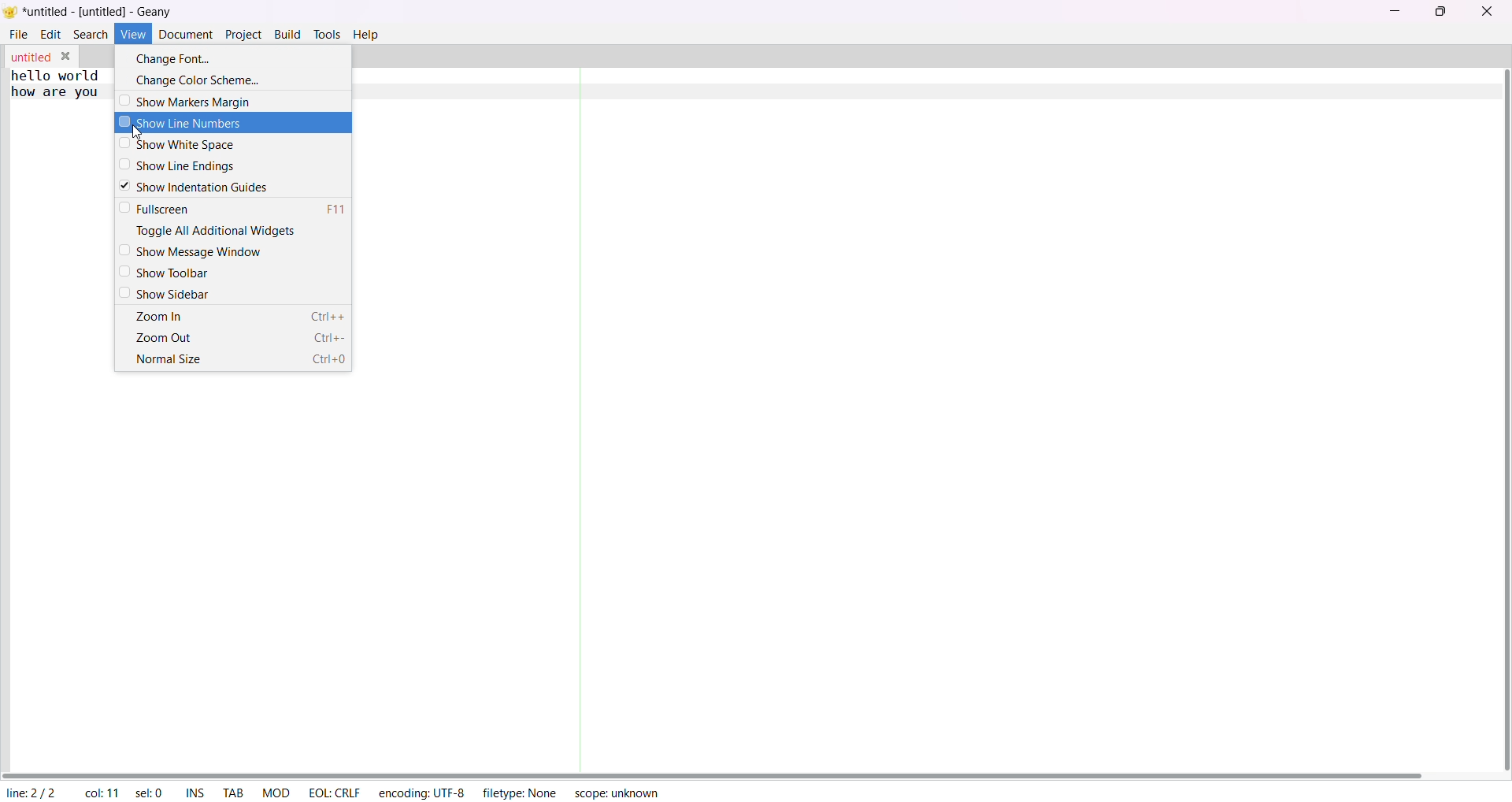  What do you see at coordinates (1501, 419) in the screenshot?
I see `vertical scroll bar` at bounding box center [1501, 419].